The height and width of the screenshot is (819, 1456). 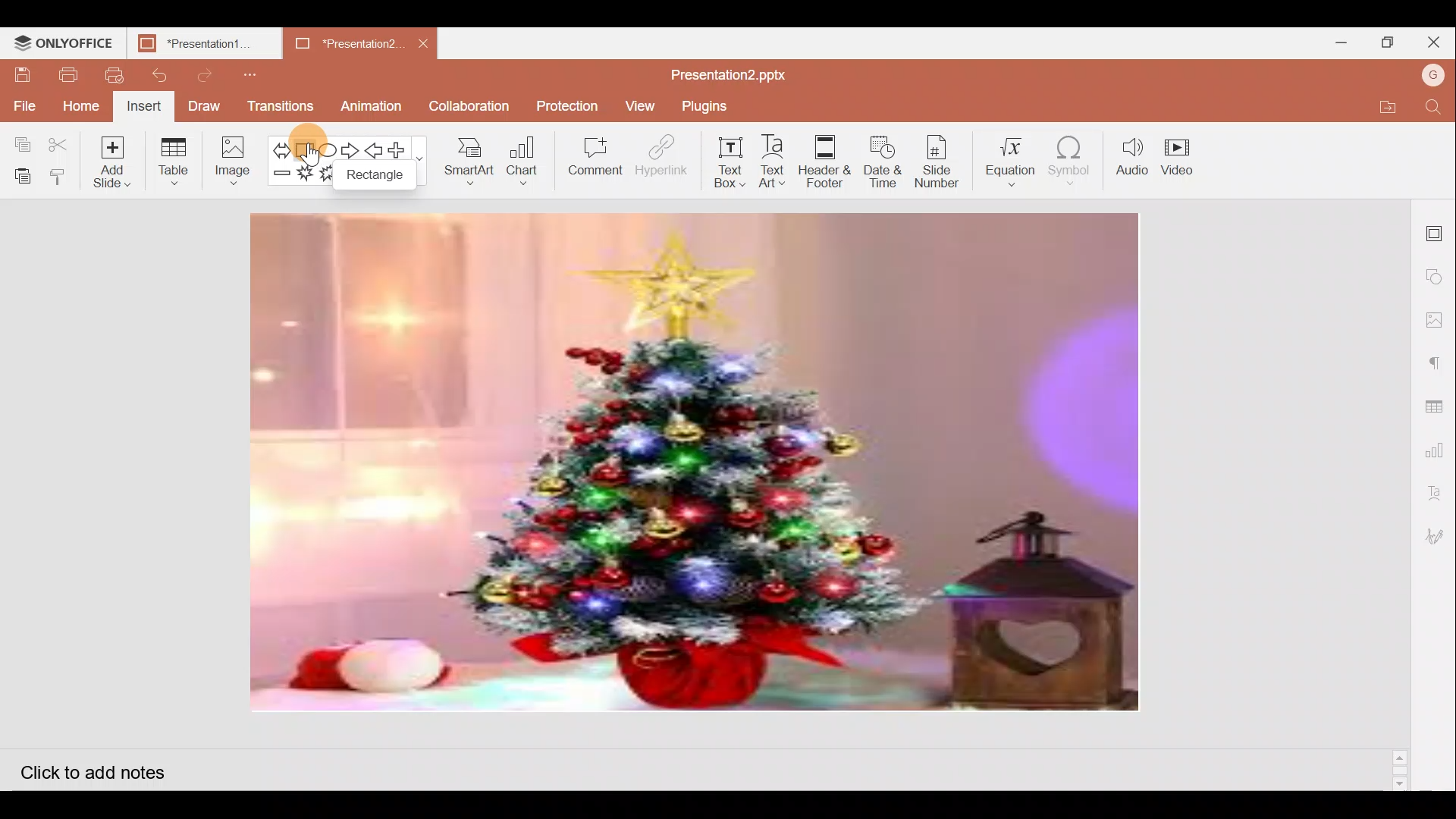 I want to click on Home, so click(x=82, y=105).